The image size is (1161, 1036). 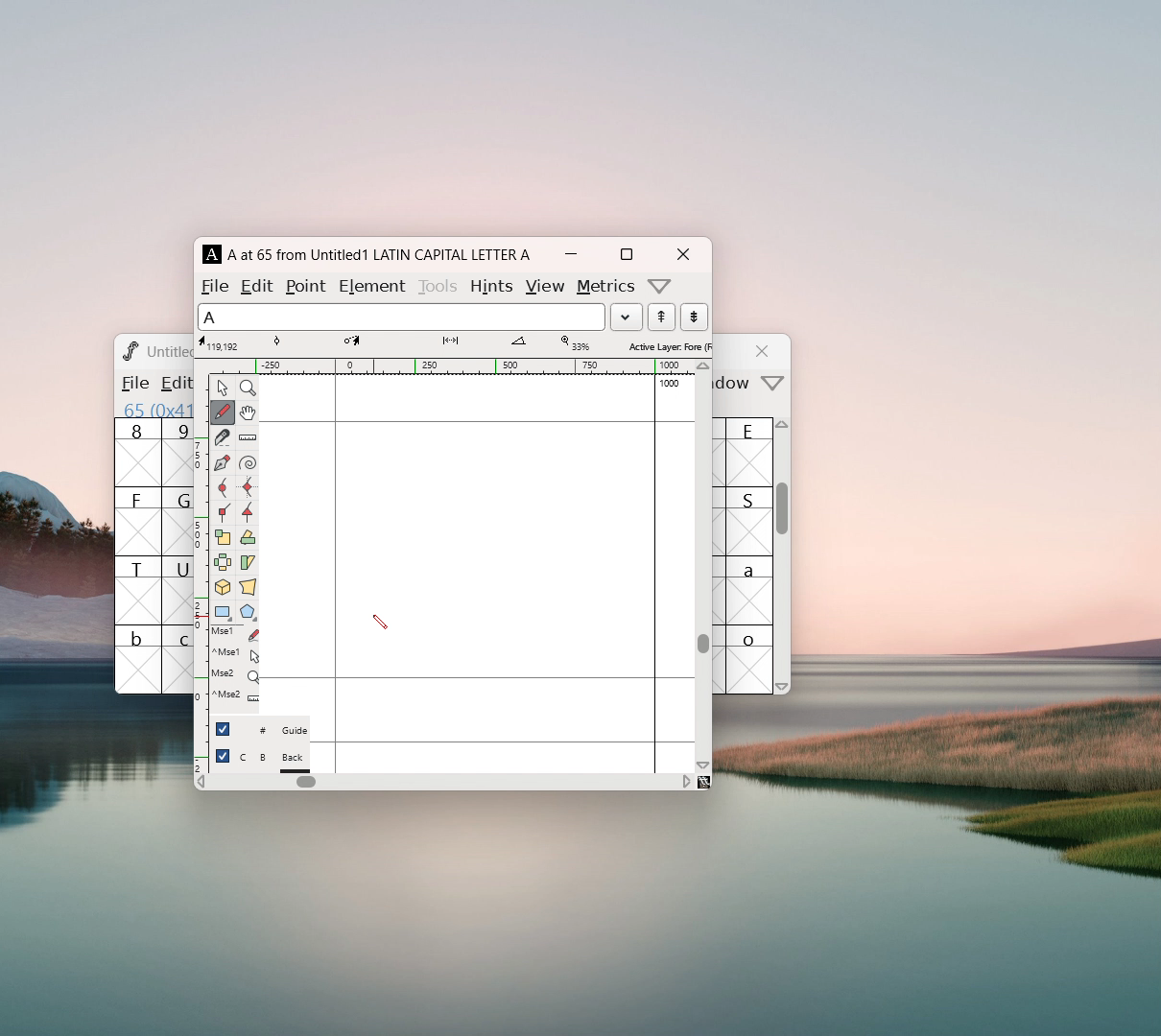 I want to click on scroll down, so click(x=783, y=686).